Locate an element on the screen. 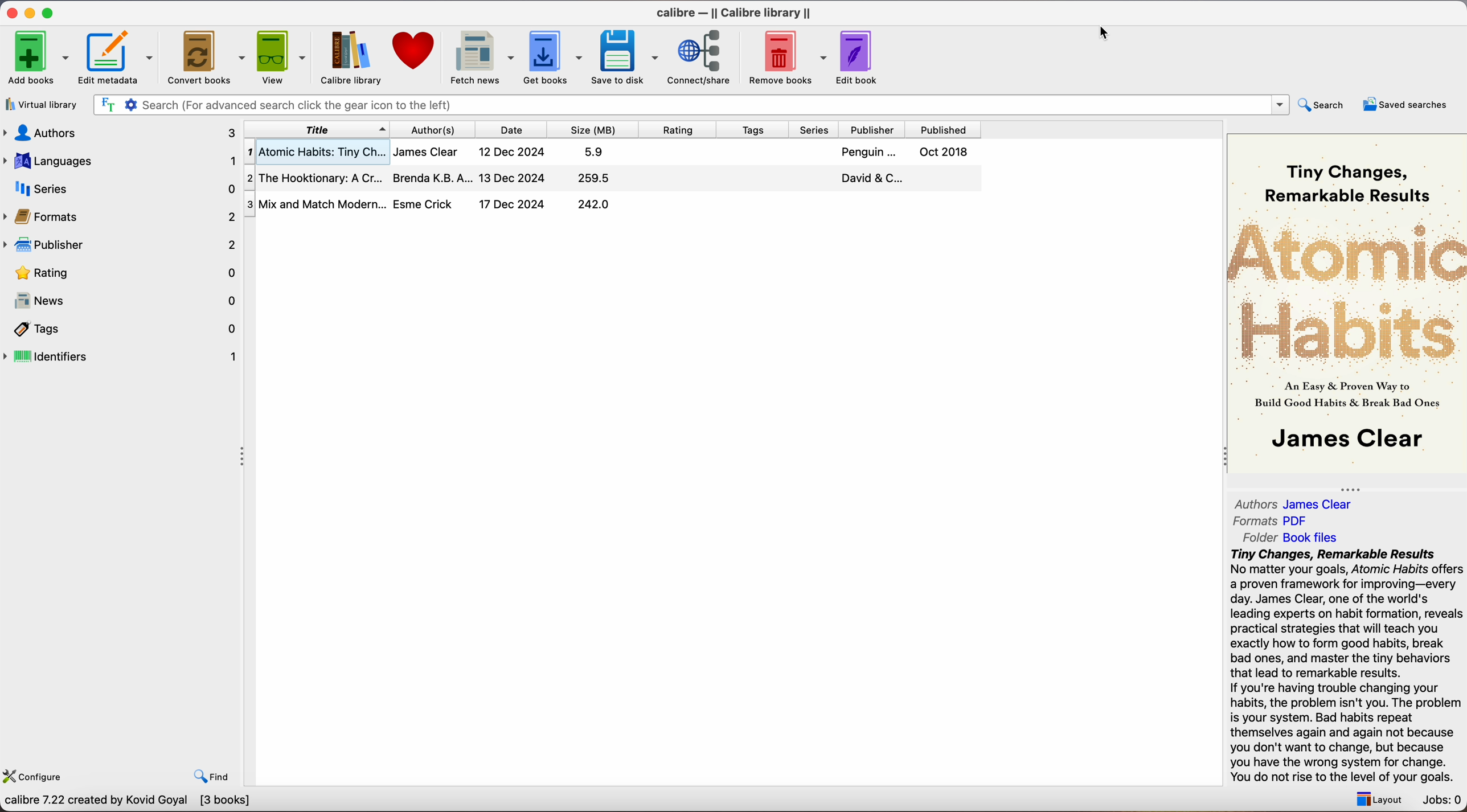 The height and width of the screenshot is (812, 1467). Jobs: 0 is located at coordinates (1443, 801).